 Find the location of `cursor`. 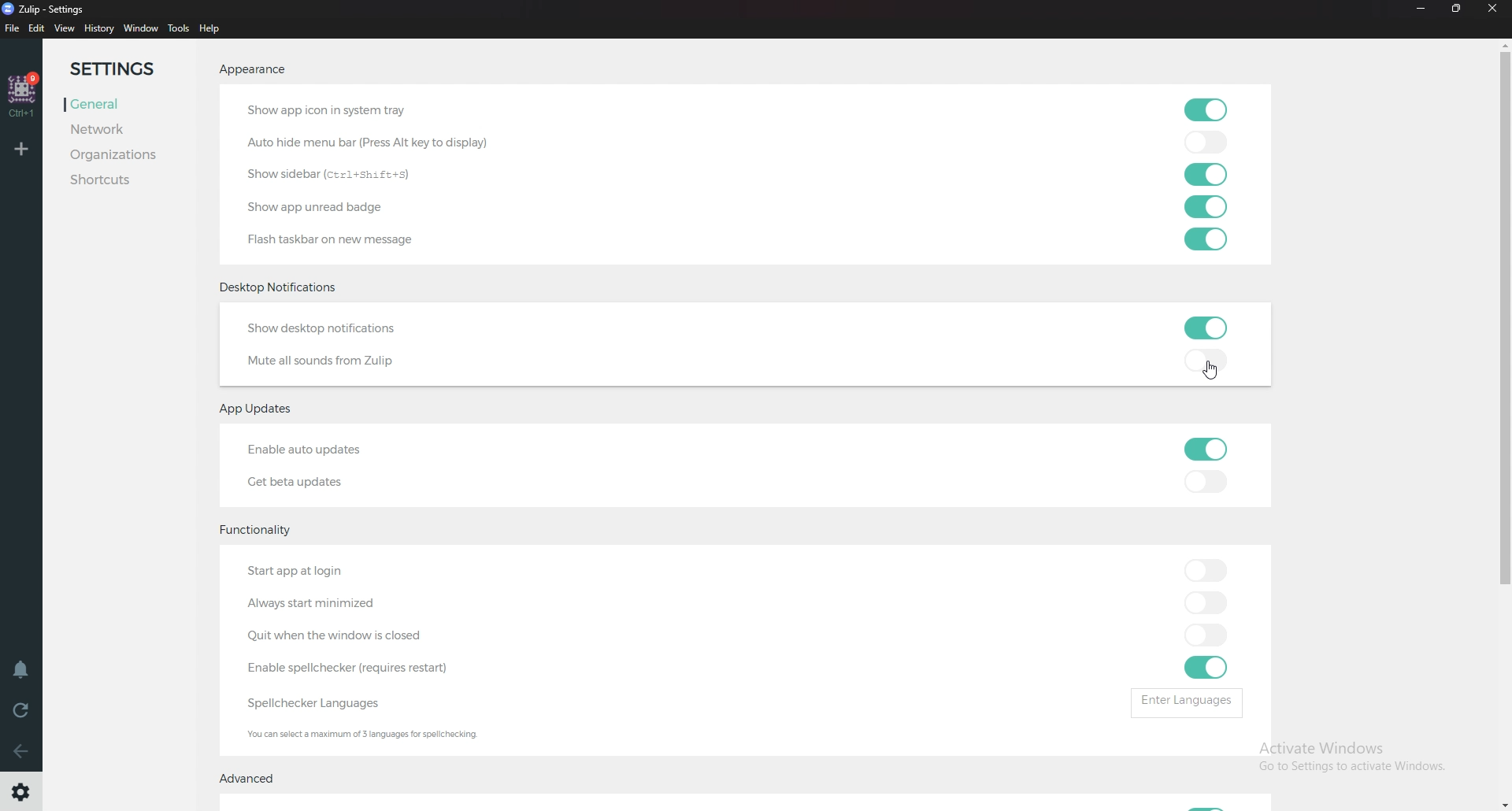

cursor is located at coordinates (1214, 372).